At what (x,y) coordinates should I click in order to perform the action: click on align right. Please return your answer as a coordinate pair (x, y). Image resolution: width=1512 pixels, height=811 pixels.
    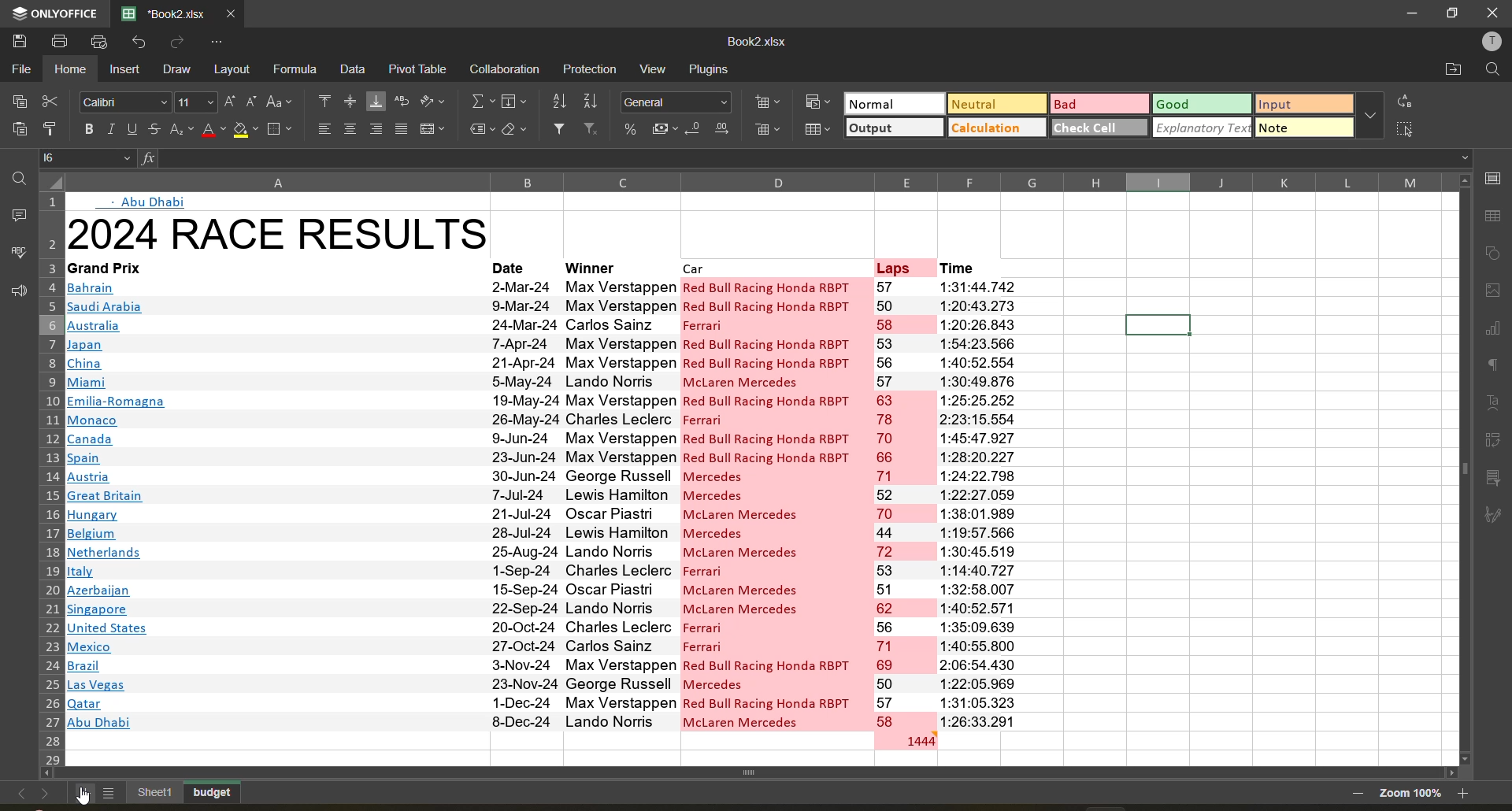
    Looking at the image, I should click on (377, 128).